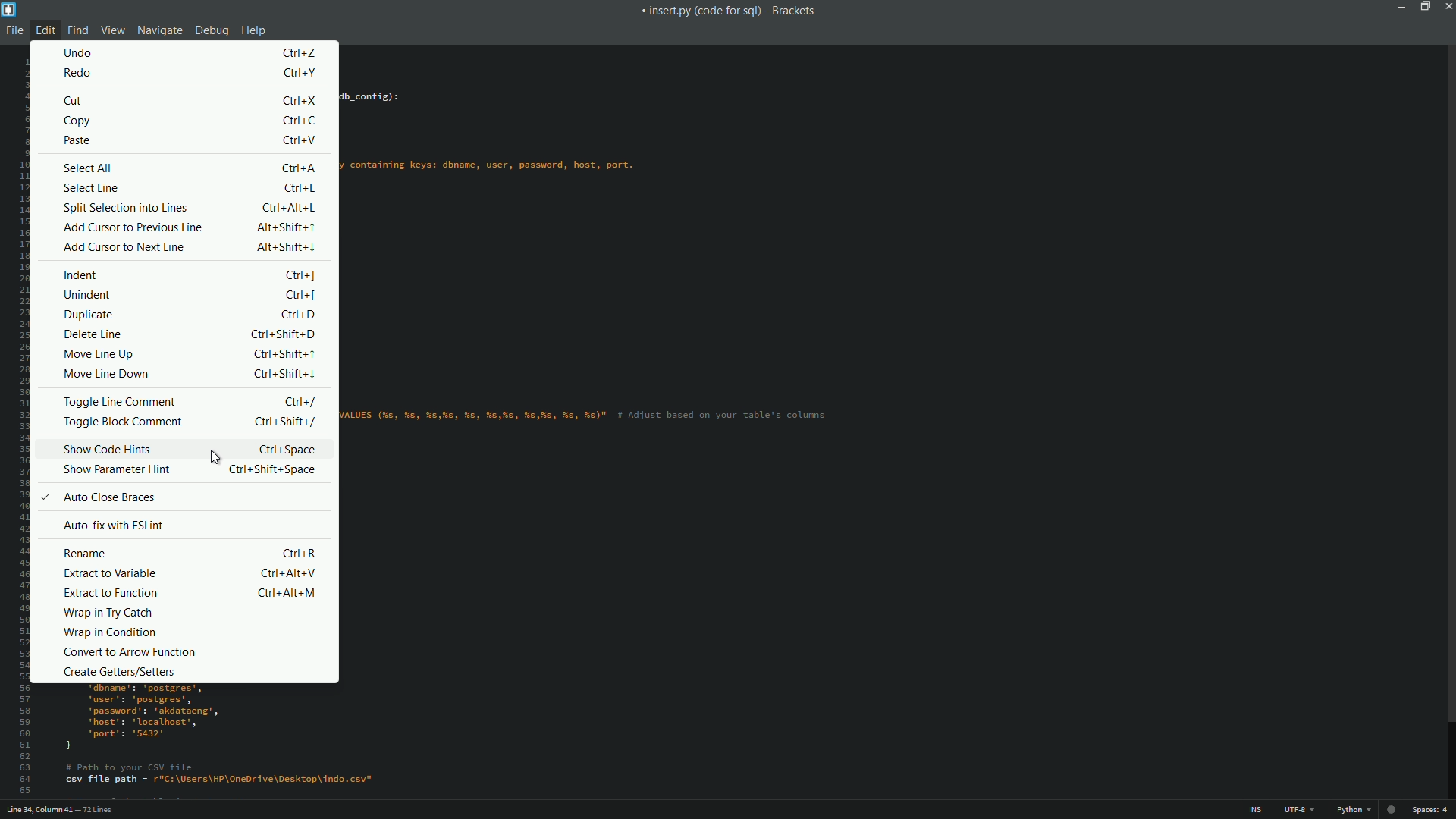 The image size is (1456, 819). Describe the element at coordinates (79, 73) in the screenshot. I see `redo` at that location.